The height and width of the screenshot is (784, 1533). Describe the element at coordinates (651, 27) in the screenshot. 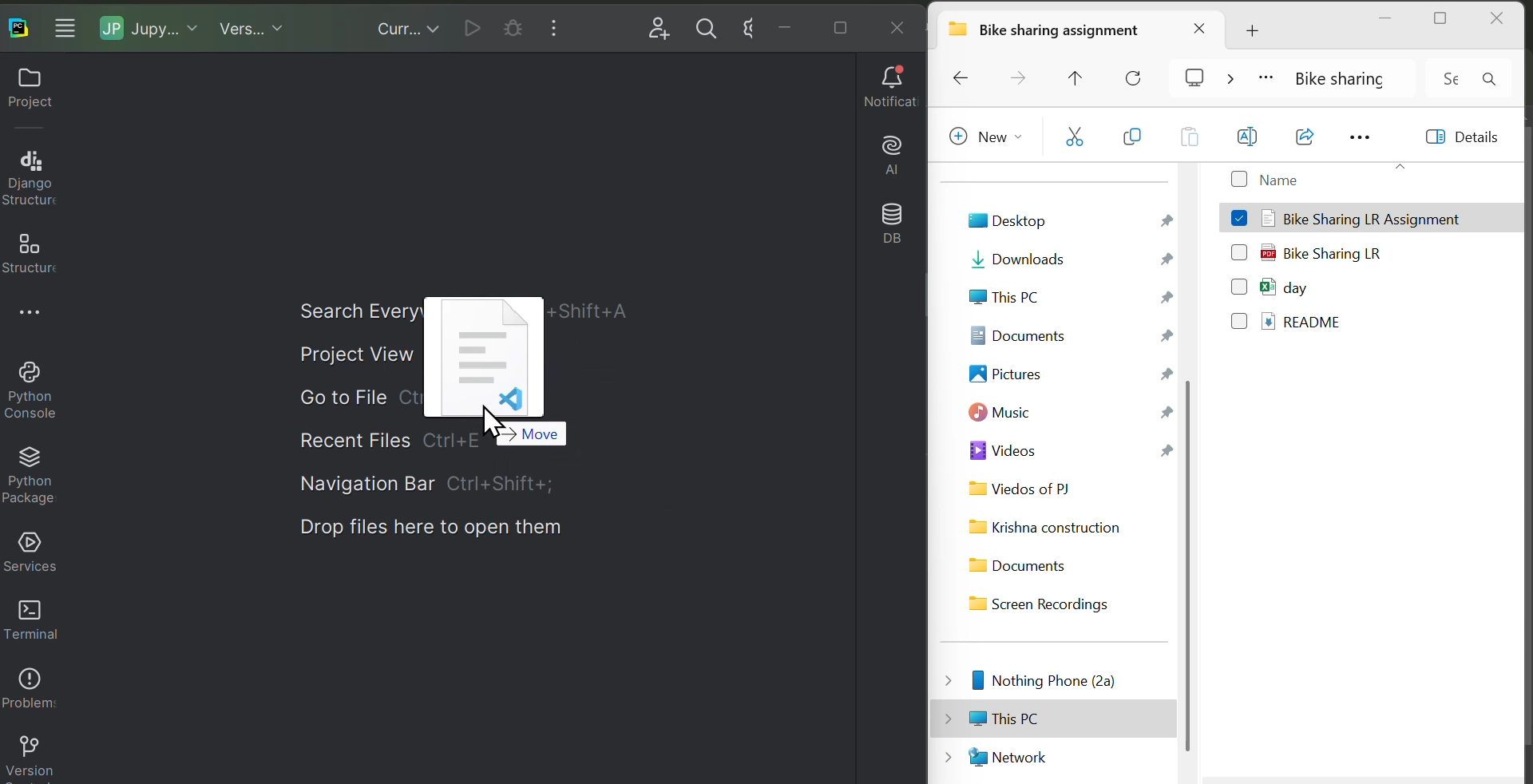

I see `Add user` at that location.